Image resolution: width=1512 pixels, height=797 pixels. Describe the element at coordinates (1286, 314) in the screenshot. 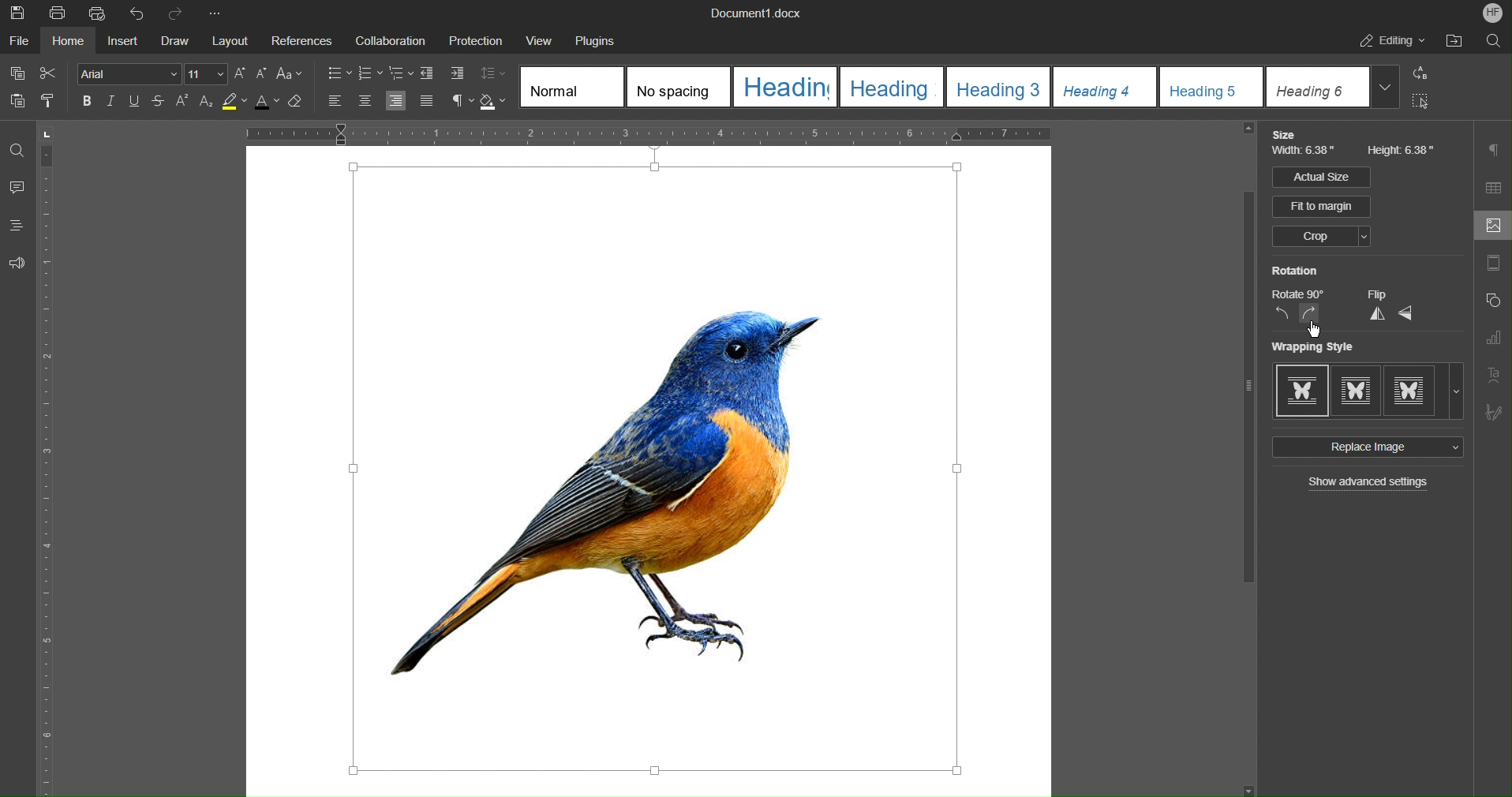

I see `Rotate CCW` at that location.